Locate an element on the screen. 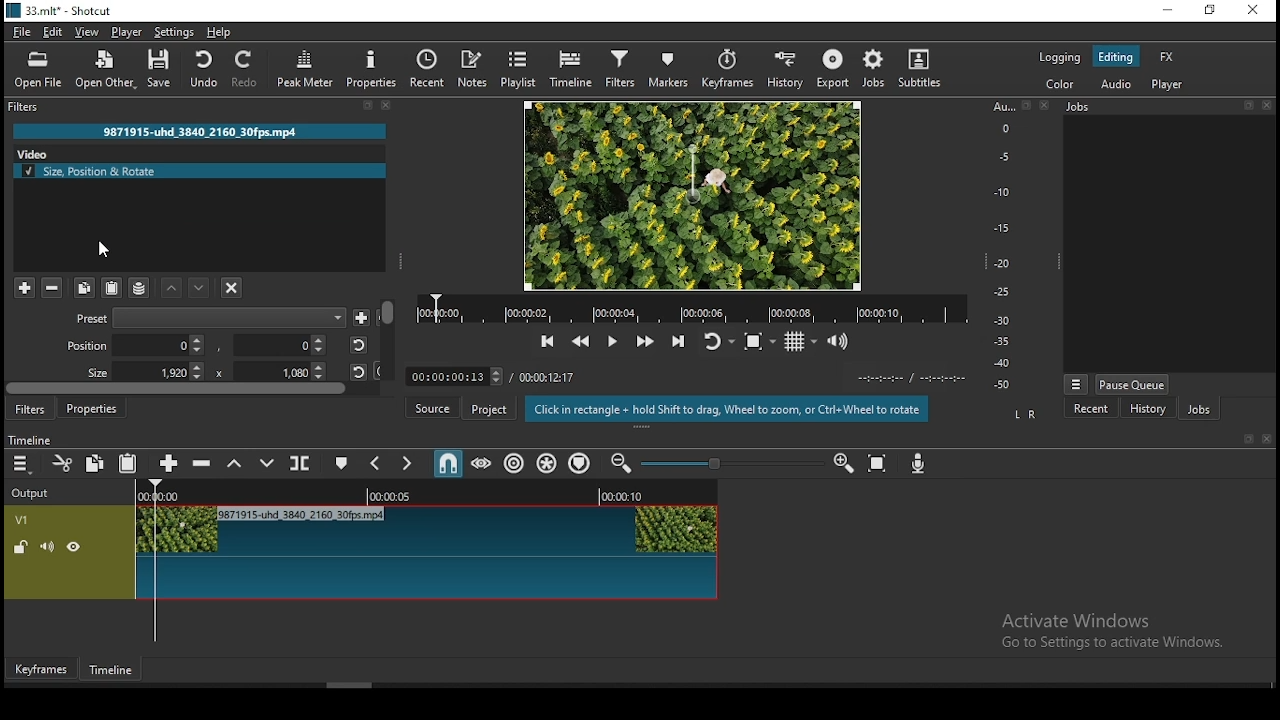 This screenshot has height=720, width=1280. video is located at coordinates (691, 195).